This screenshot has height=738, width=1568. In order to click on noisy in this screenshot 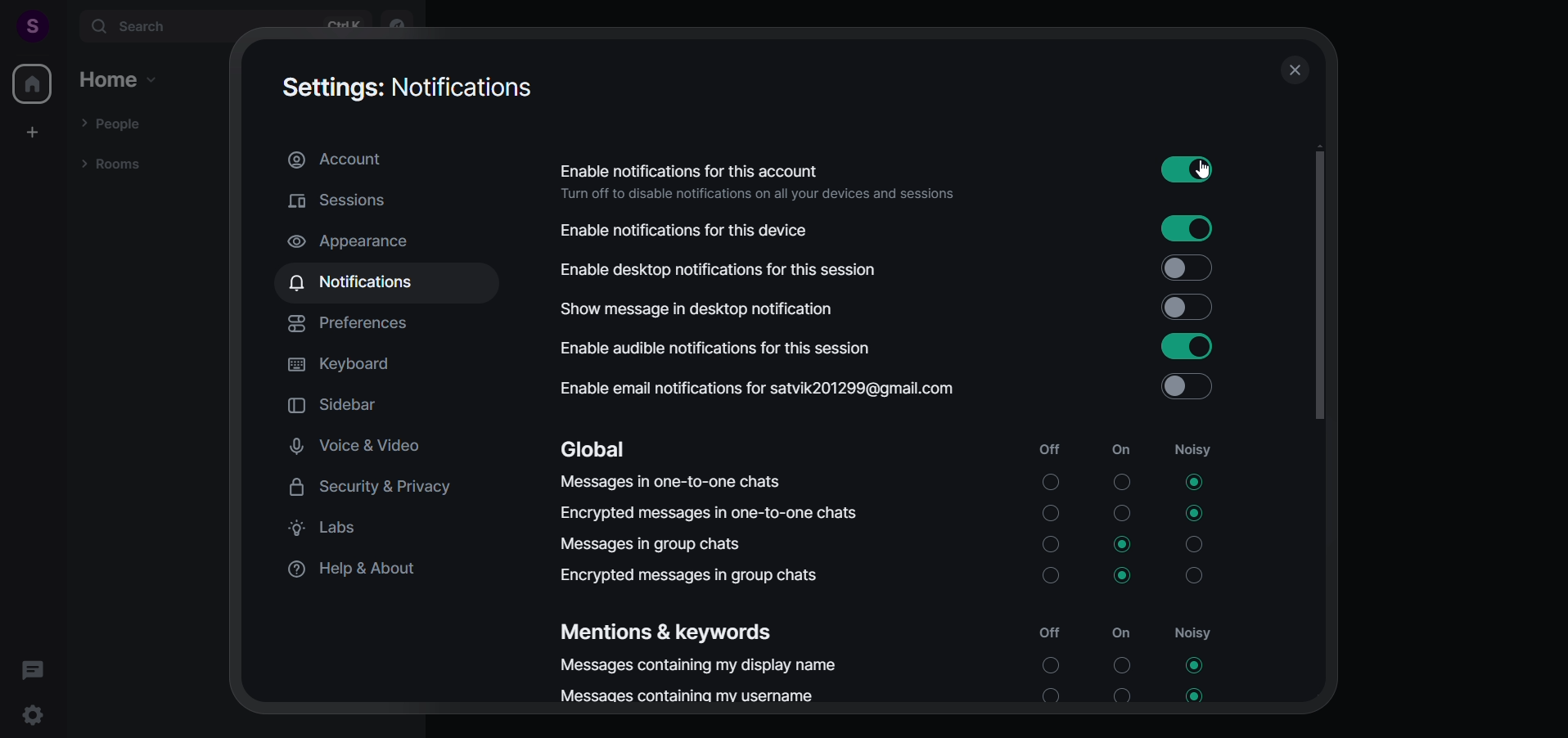, I will do `click(1196, 449)`.